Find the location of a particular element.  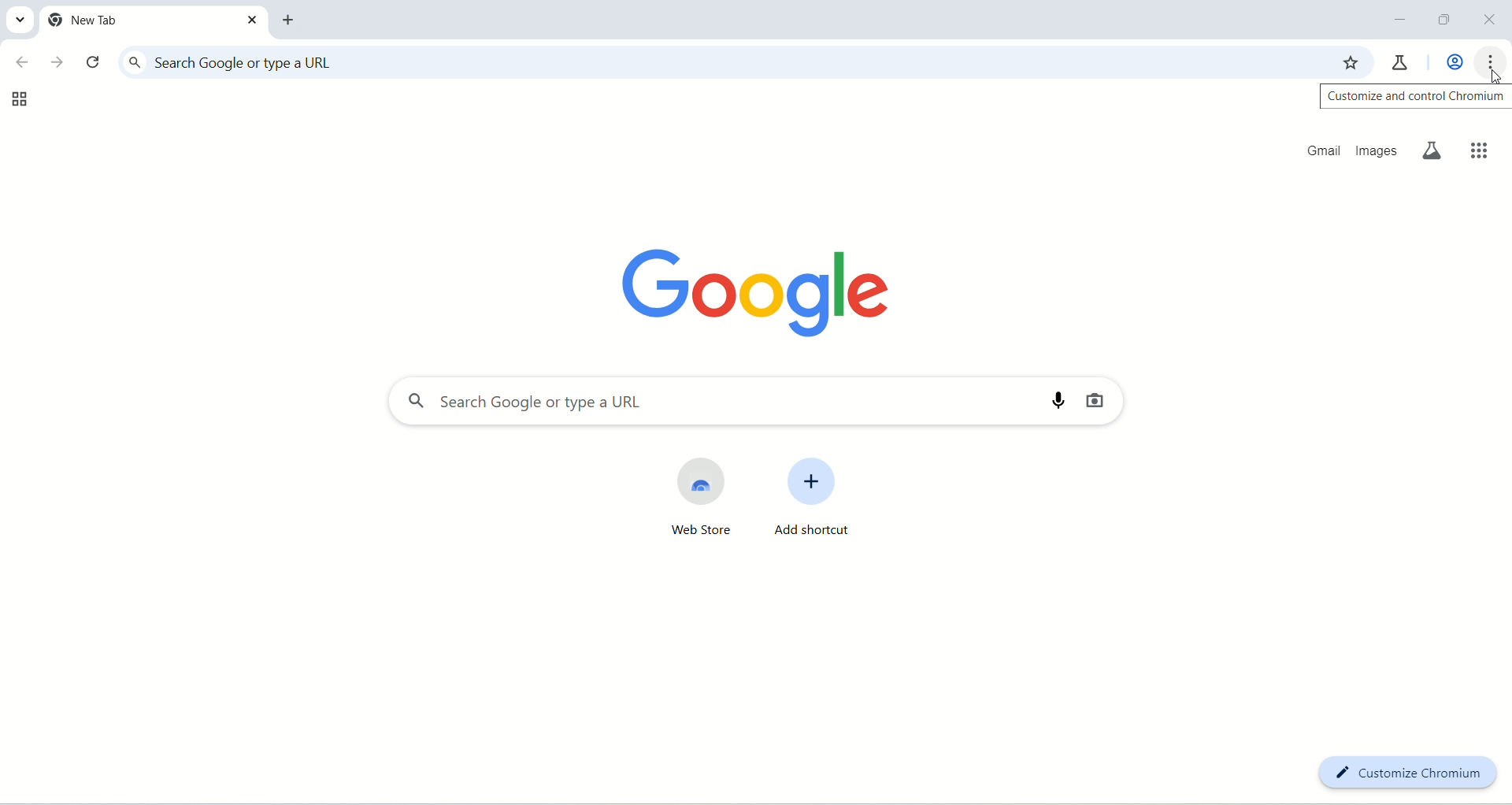

close tab is located at coordinates (253, 20).